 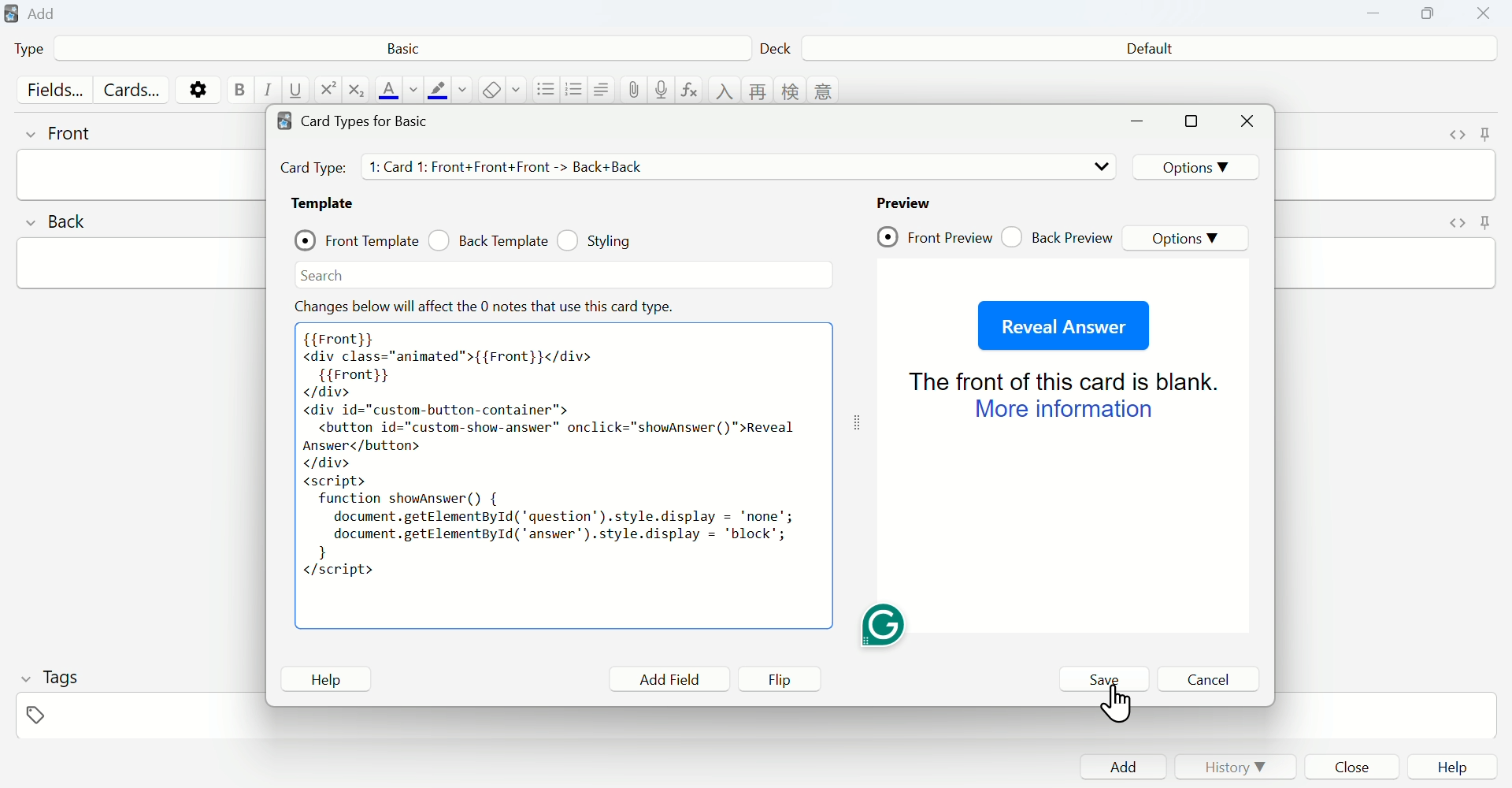 What do you see at coordinates (64, 221) in the screenshot?
I see `back` at bounding box center [64, 221].